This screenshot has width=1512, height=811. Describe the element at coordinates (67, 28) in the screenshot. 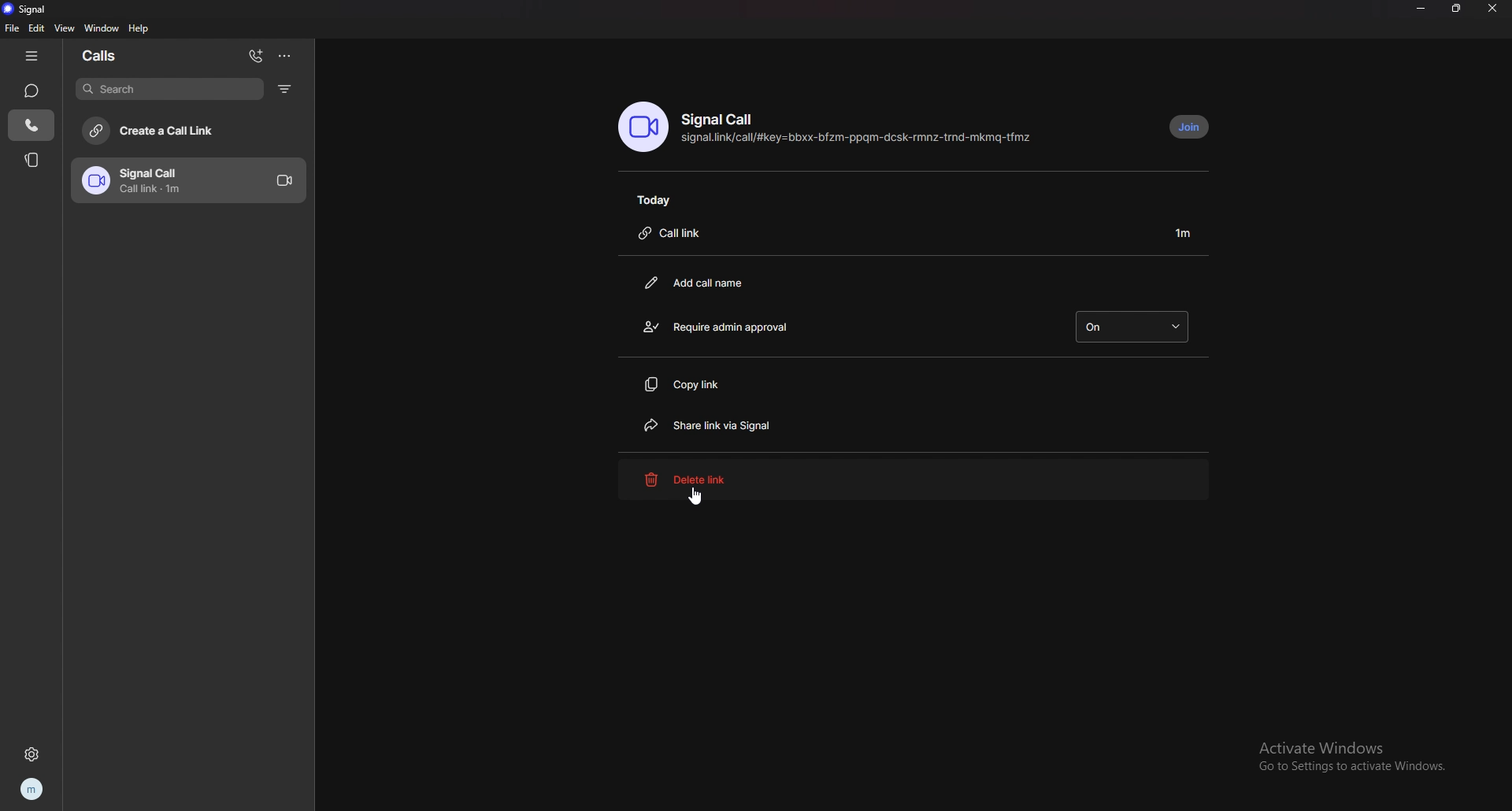

I see `view` at that location.